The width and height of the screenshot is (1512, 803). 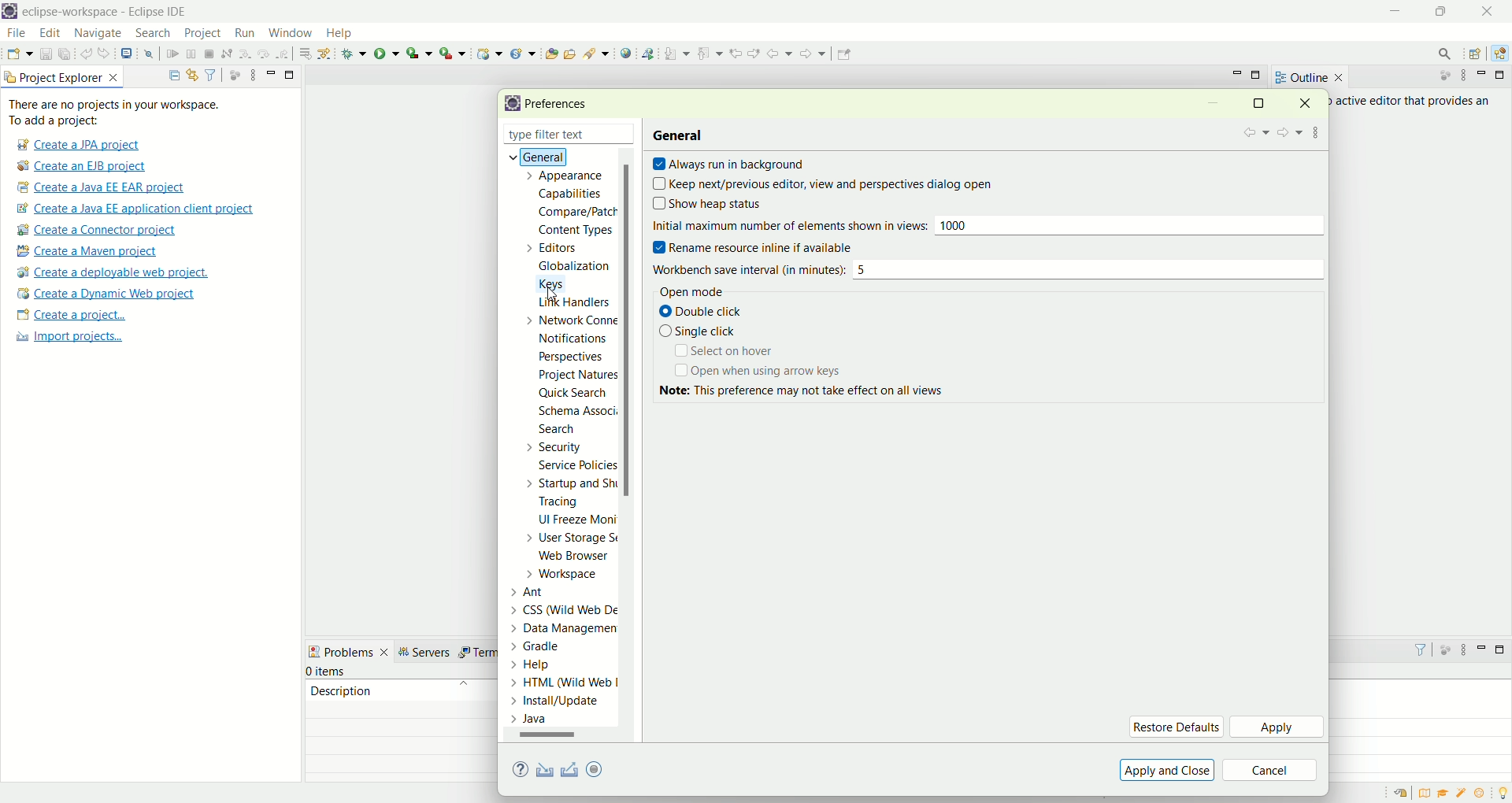 What do you see at coordinates (713, 52) in the screenshot?
I see `previous annotation` at bounding box center [713, 52].